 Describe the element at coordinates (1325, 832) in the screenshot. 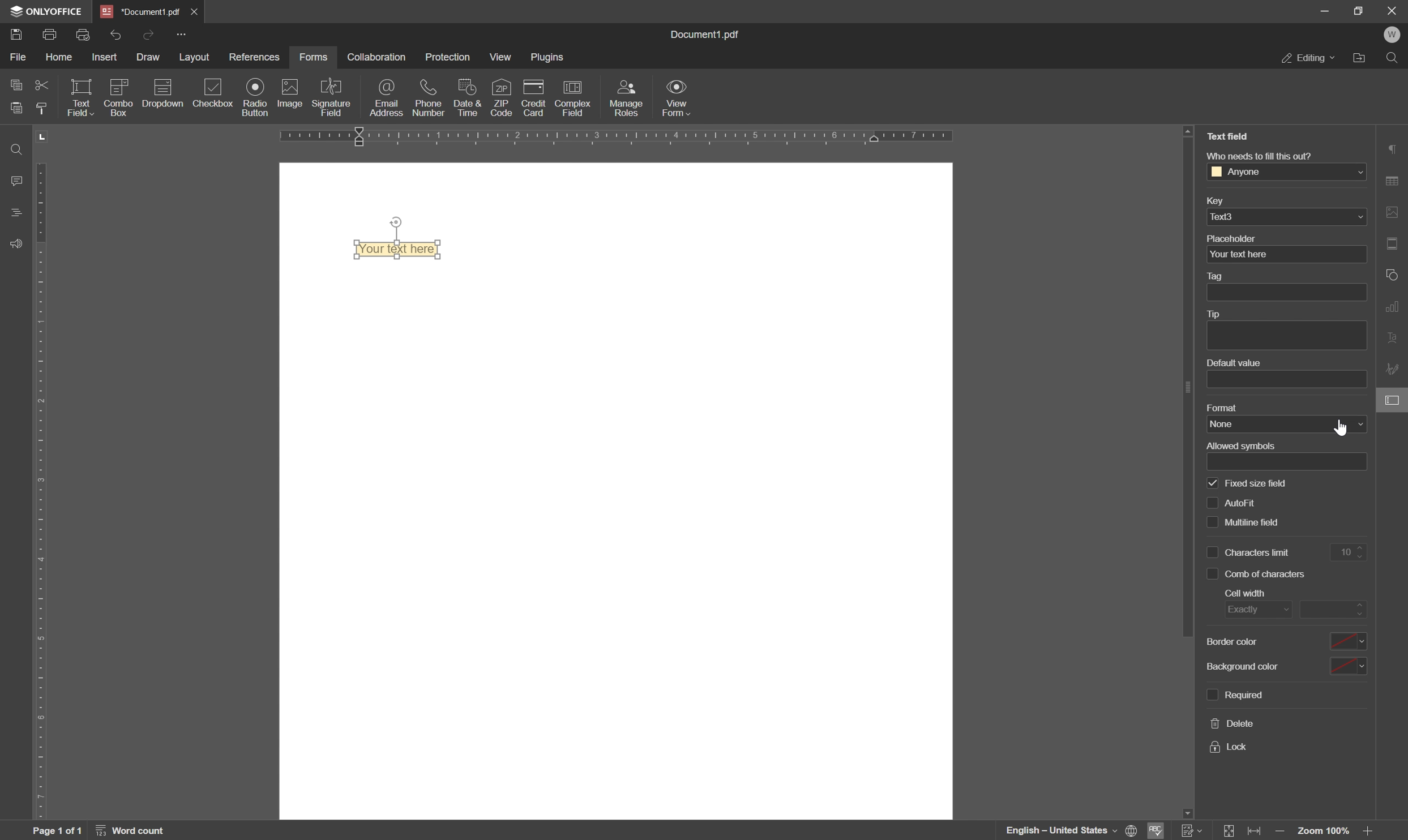

I see `zoom 100%` at that location.